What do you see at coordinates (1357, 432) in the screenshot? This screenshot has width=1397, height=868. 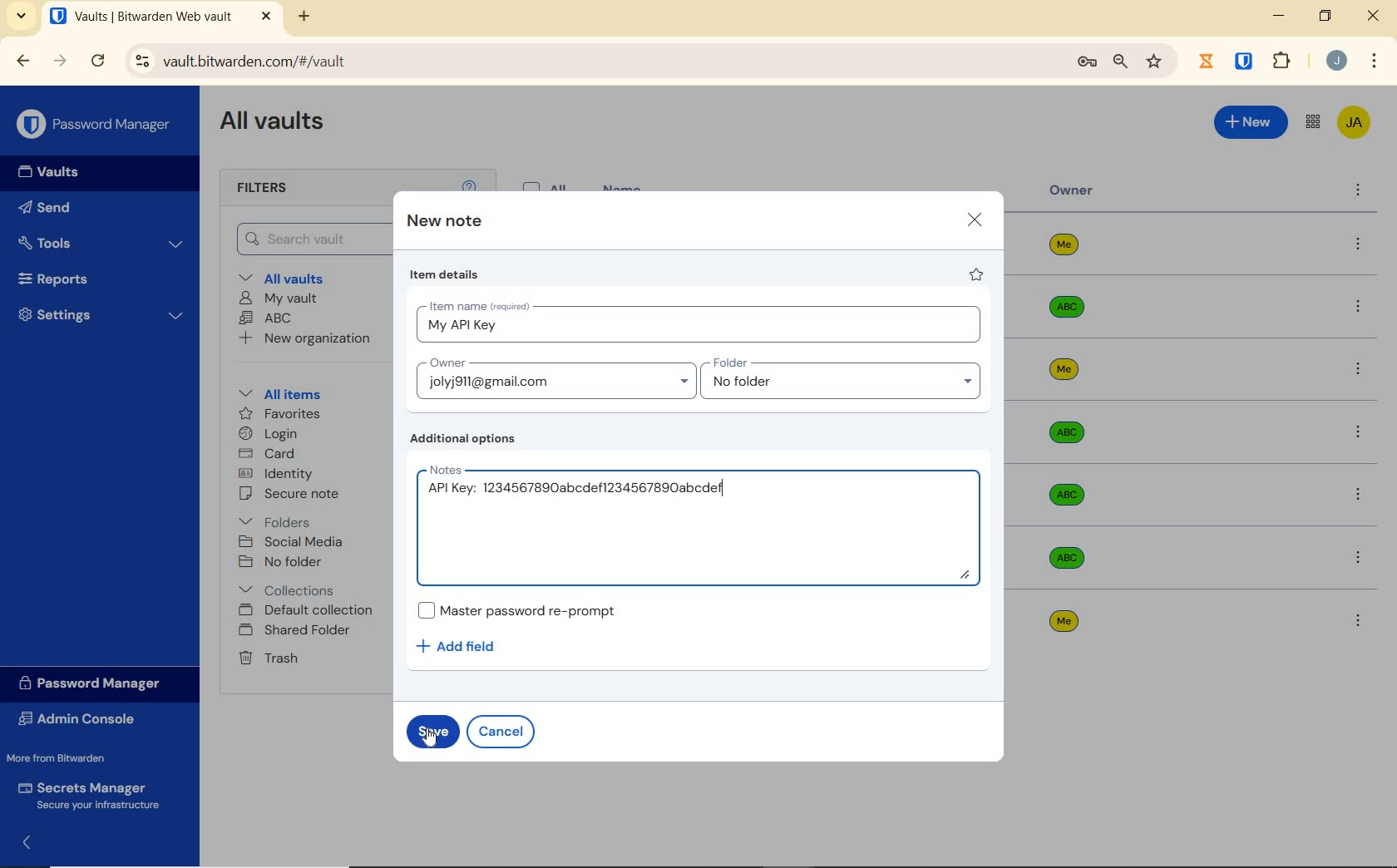 I see `more options` at bounding box center [1357, 432].